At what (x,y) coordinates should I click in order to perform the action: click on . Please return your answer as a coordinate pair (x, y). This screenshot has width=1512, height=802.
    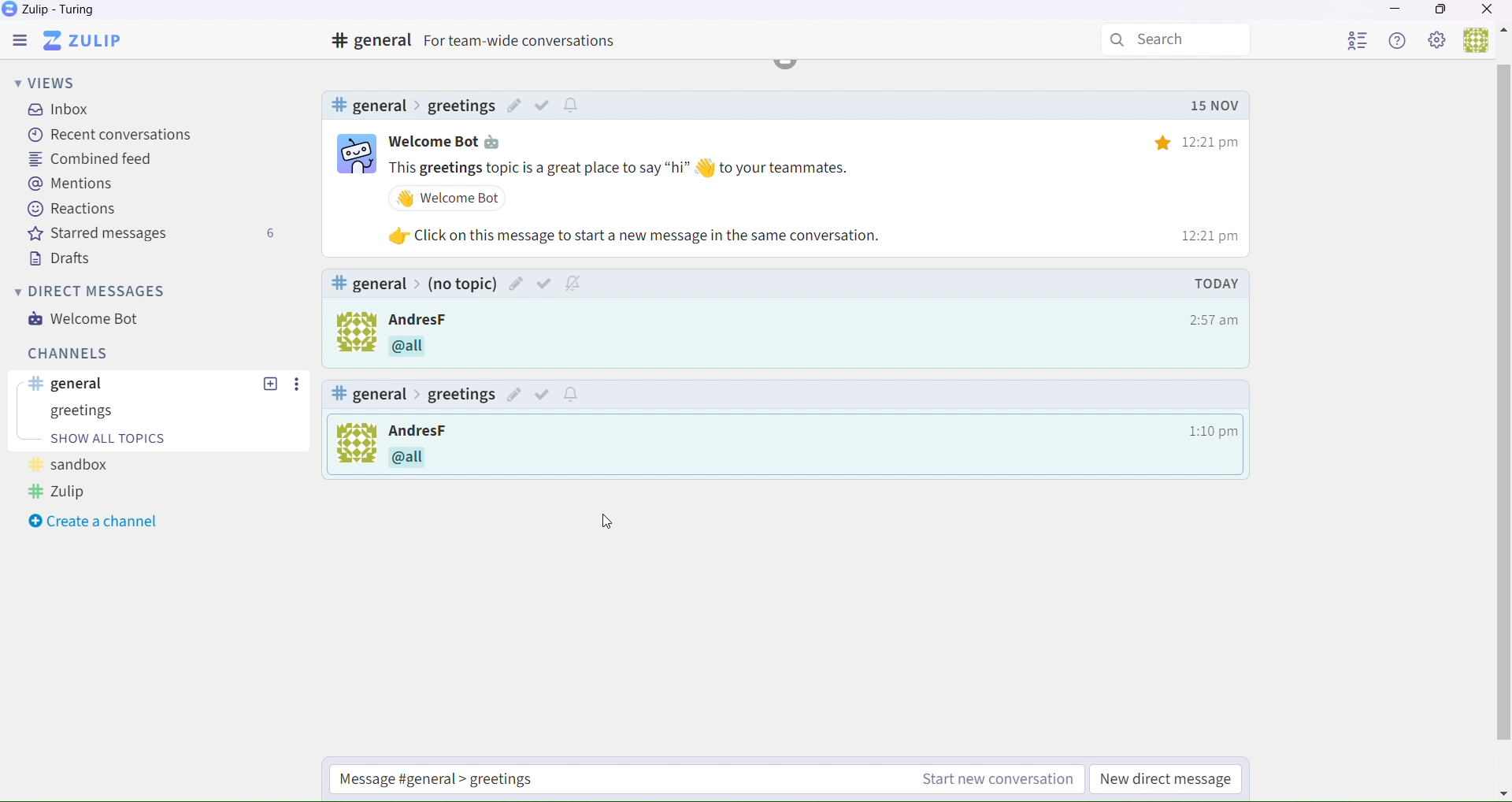
    Looking at the image, I should click on (269, 384).